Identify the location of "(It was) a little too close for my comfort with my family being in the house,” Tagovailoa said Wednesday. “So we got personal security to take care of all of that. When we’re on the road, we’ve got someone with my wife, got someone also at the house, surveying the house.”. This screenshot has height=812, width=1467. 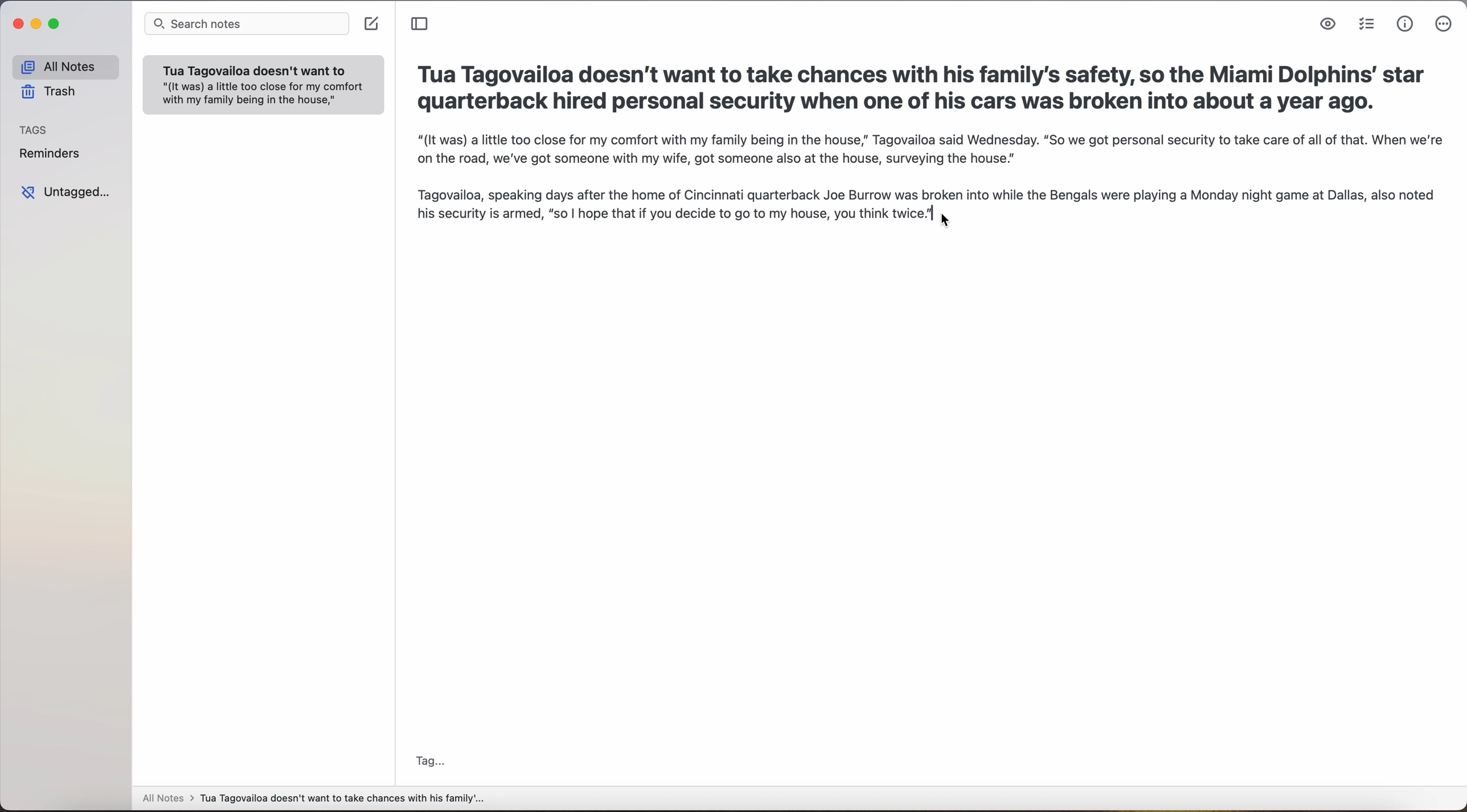
(921, 176).